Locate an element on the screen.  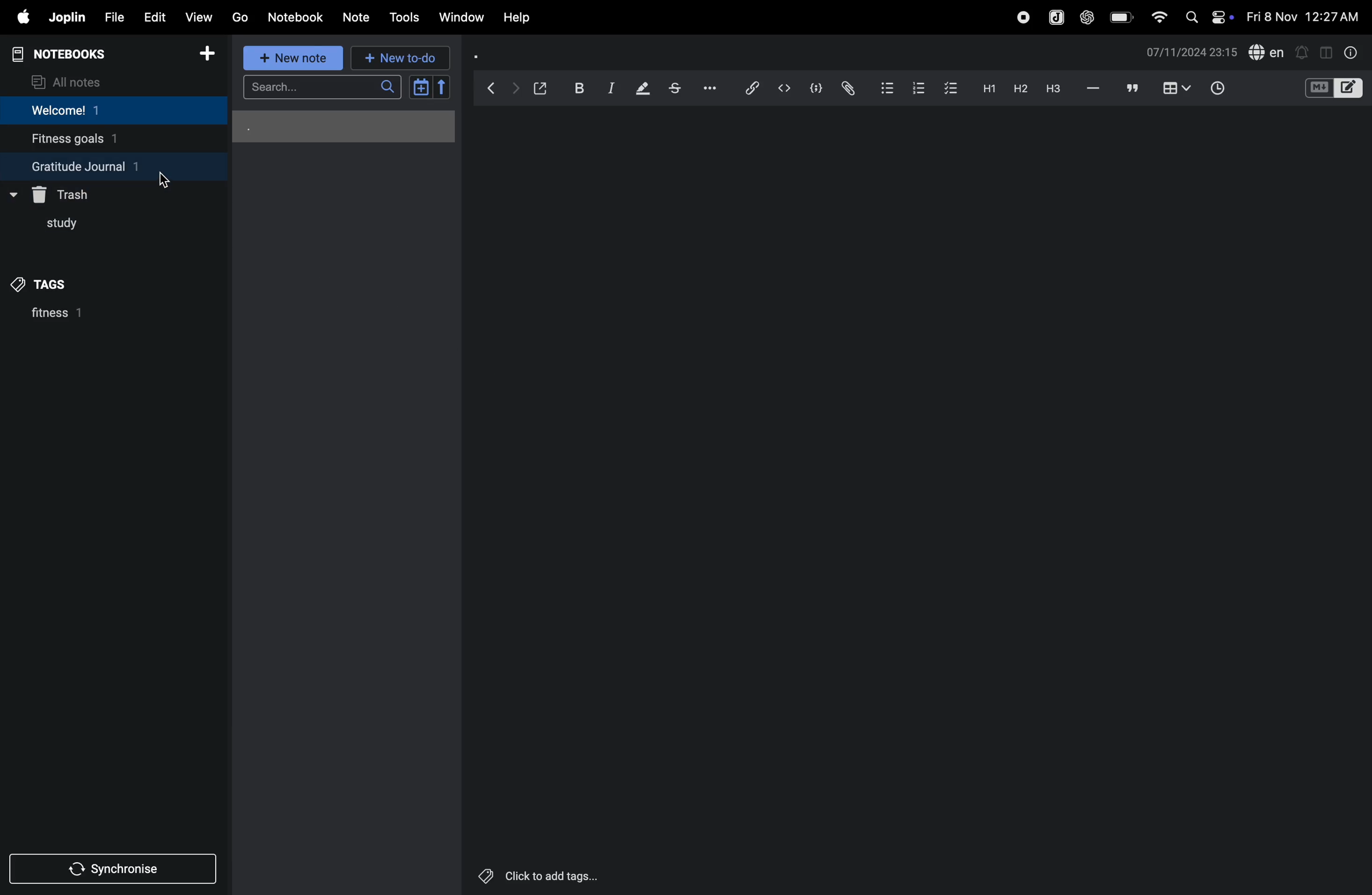
07/11/2024 23:15 is located at coordinates (1192, 52).